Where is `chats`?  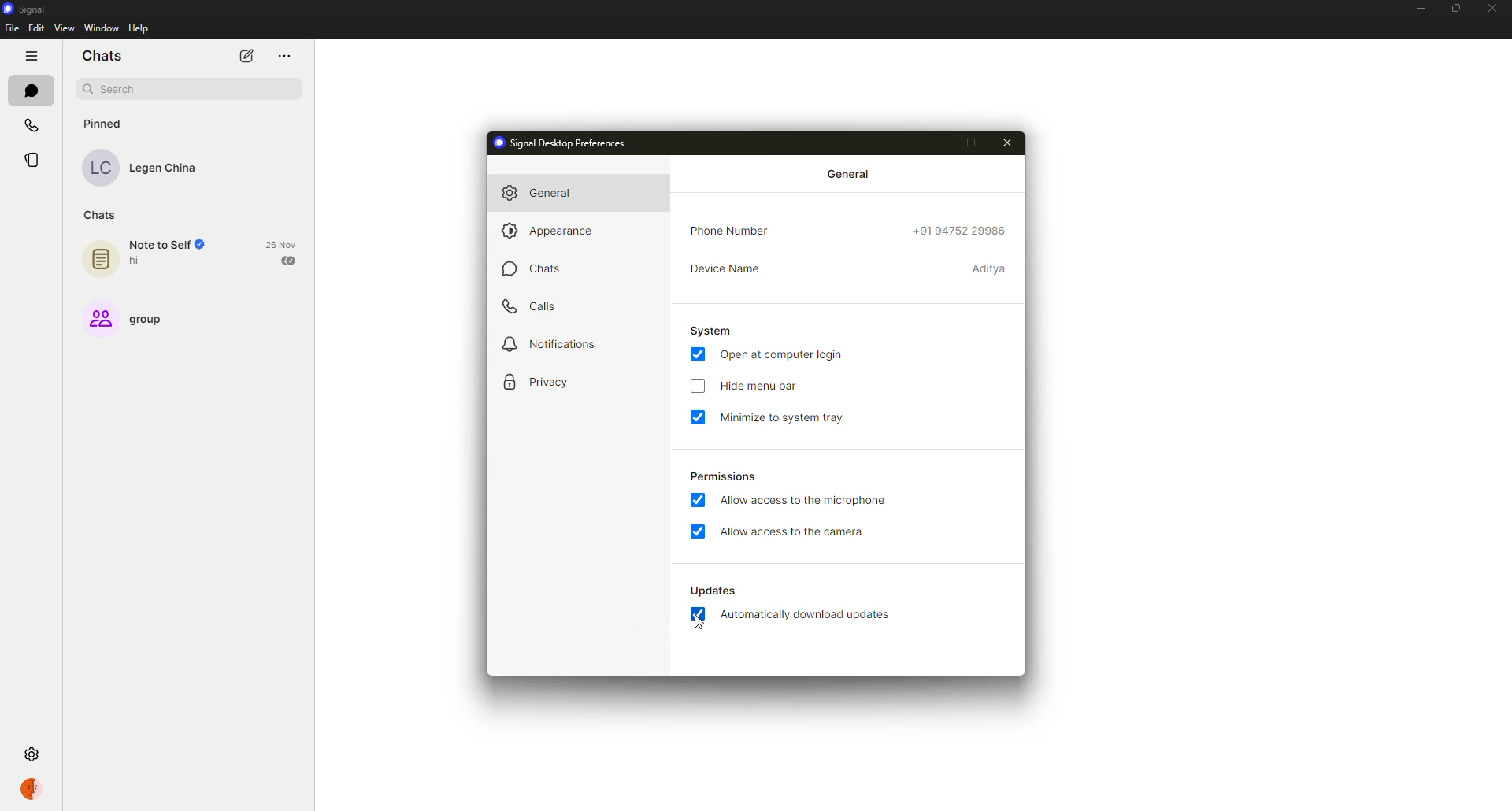 chats is located at coordinates (31, 91).